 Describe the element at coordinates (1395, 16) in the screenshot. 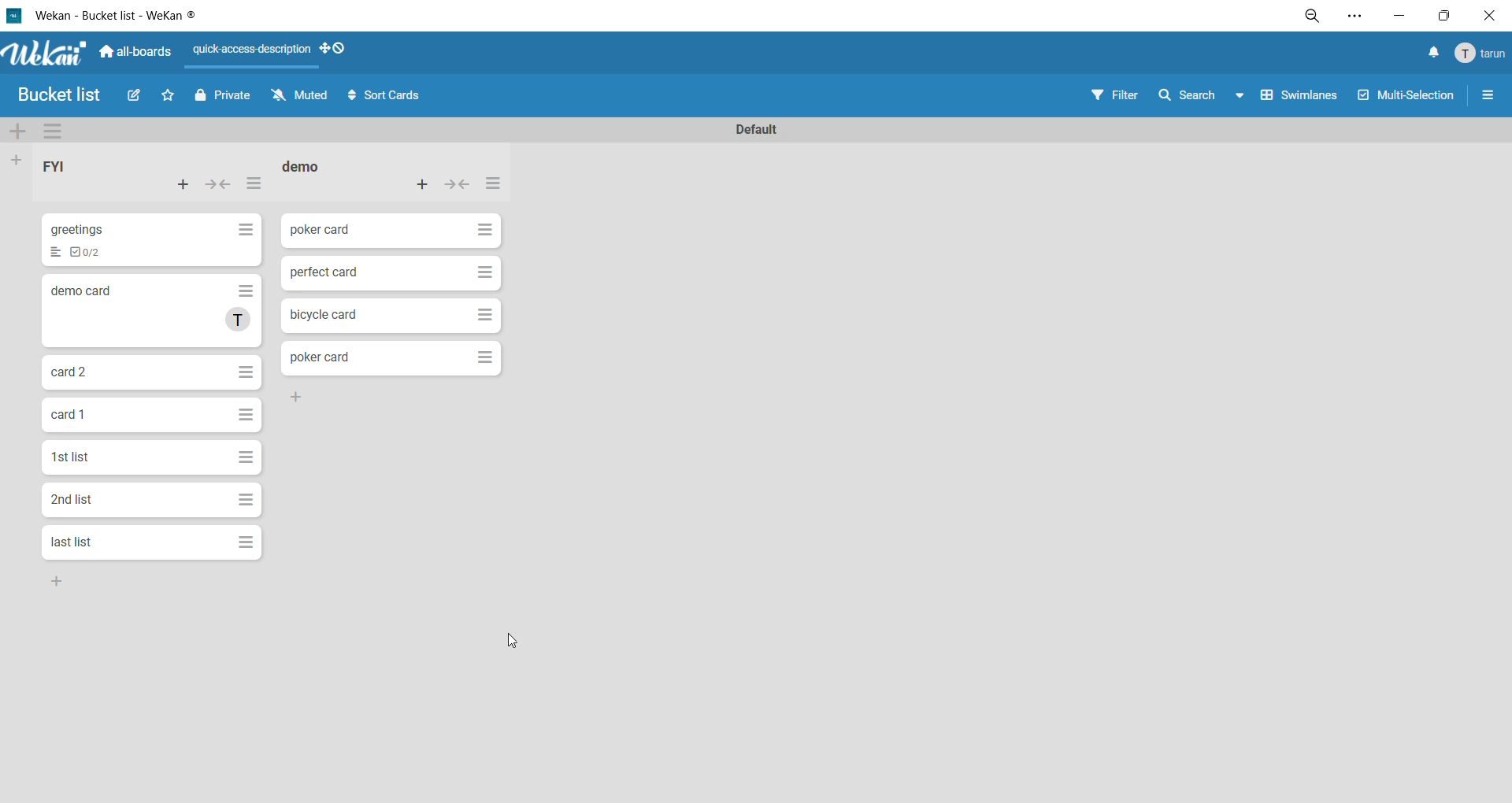

I see `minimize` at that location.